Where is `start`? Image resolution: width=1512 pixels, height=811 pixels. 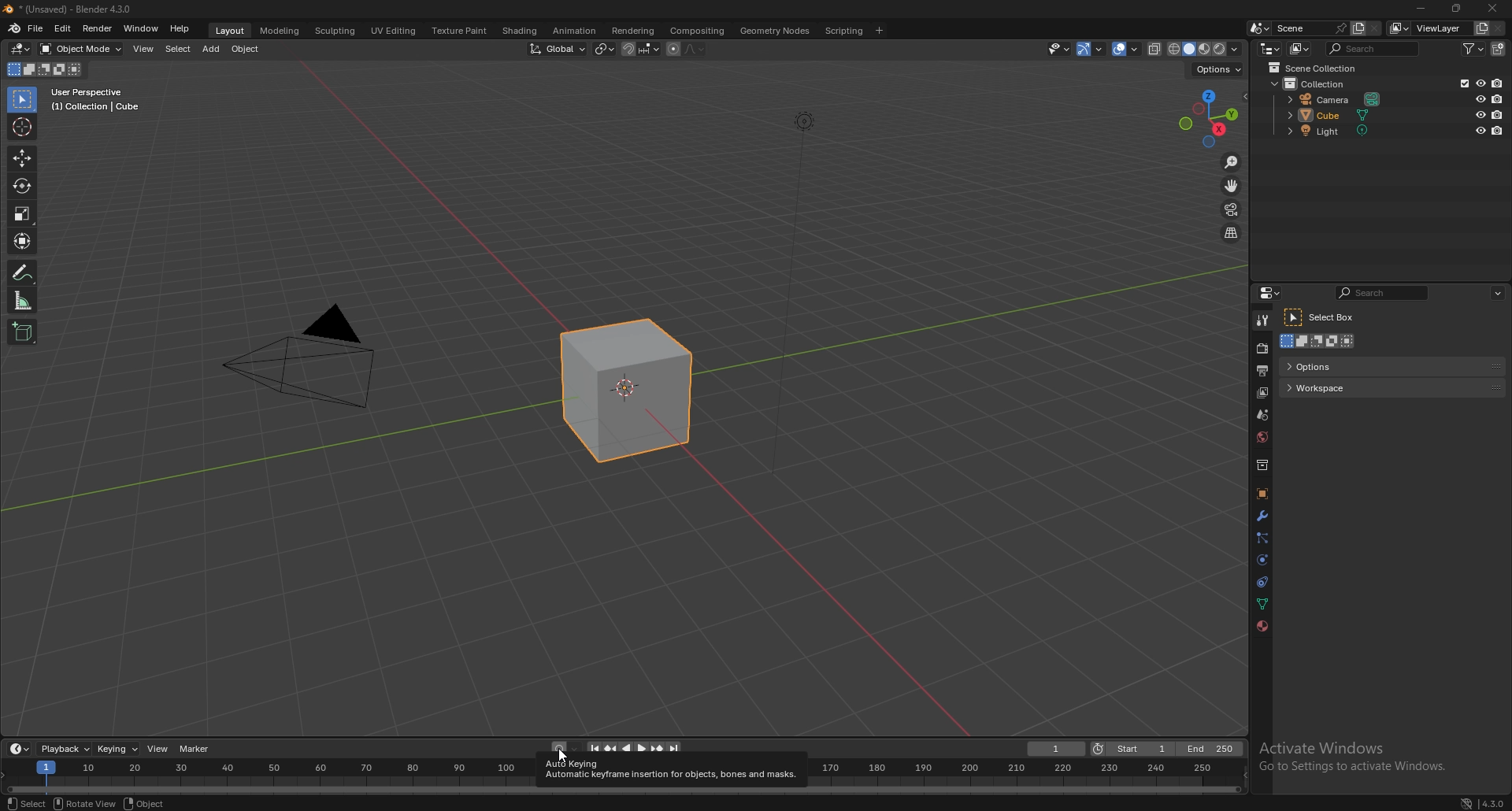 start is located at coordinates (1133, 749).